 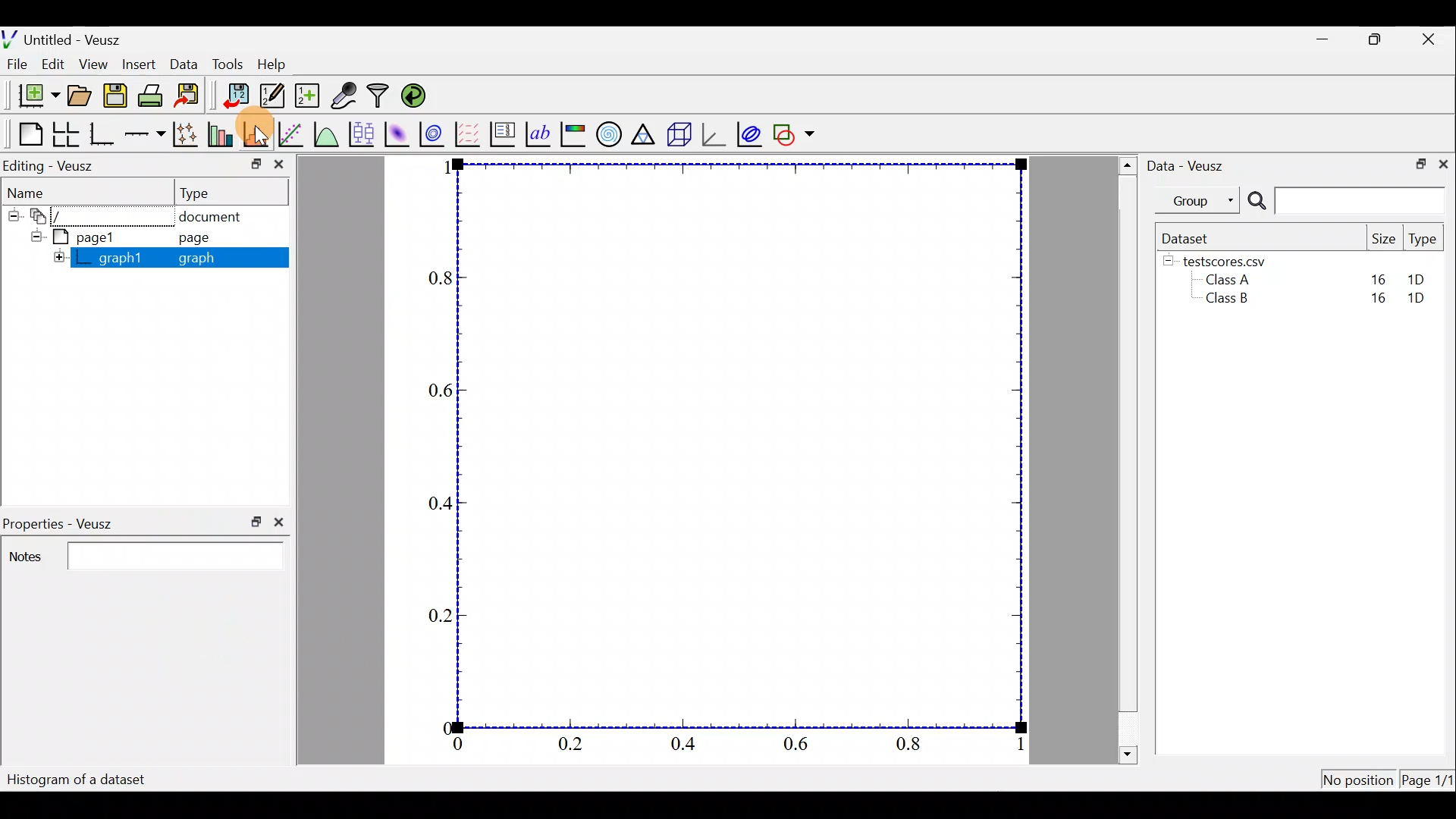 What do you see at coordinates (609, 135) in the screenshot?
I see `Polar graph` at bounding box center [609, 135].